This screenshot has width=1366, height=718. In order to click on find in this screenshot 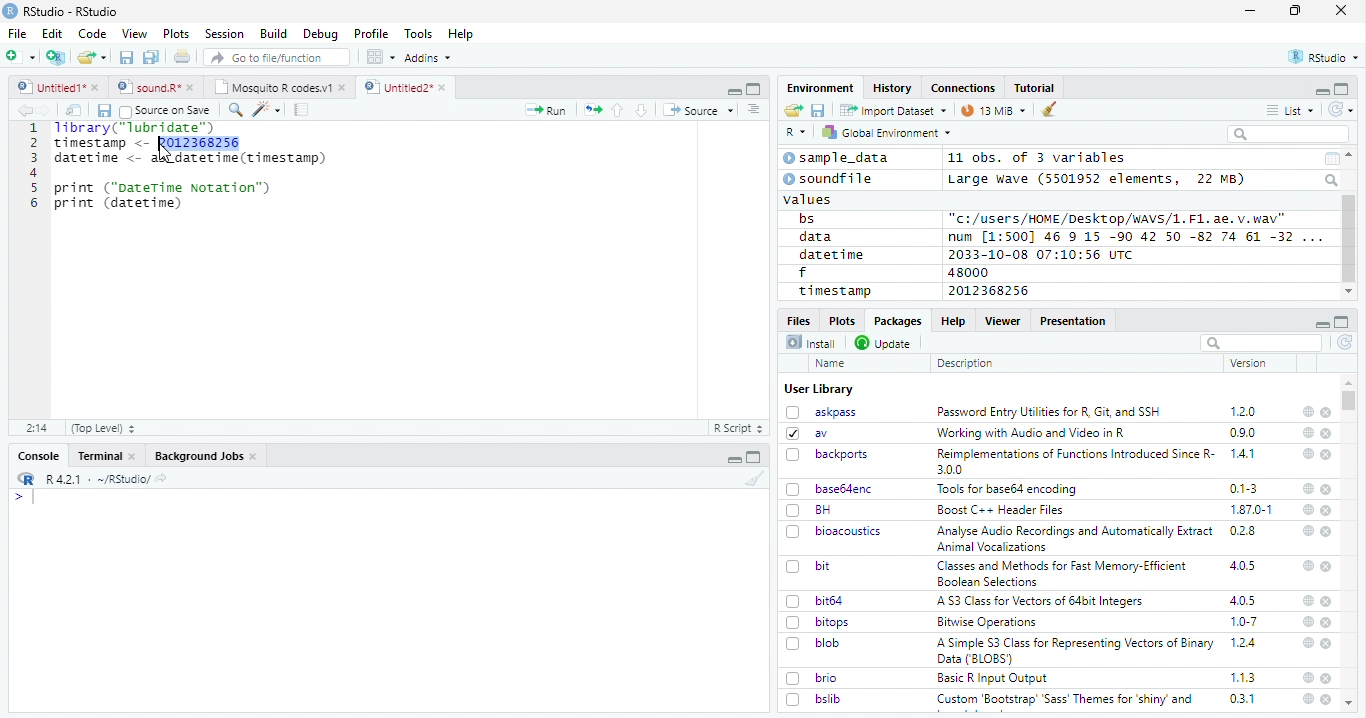, I will do `click(233, 108)`.